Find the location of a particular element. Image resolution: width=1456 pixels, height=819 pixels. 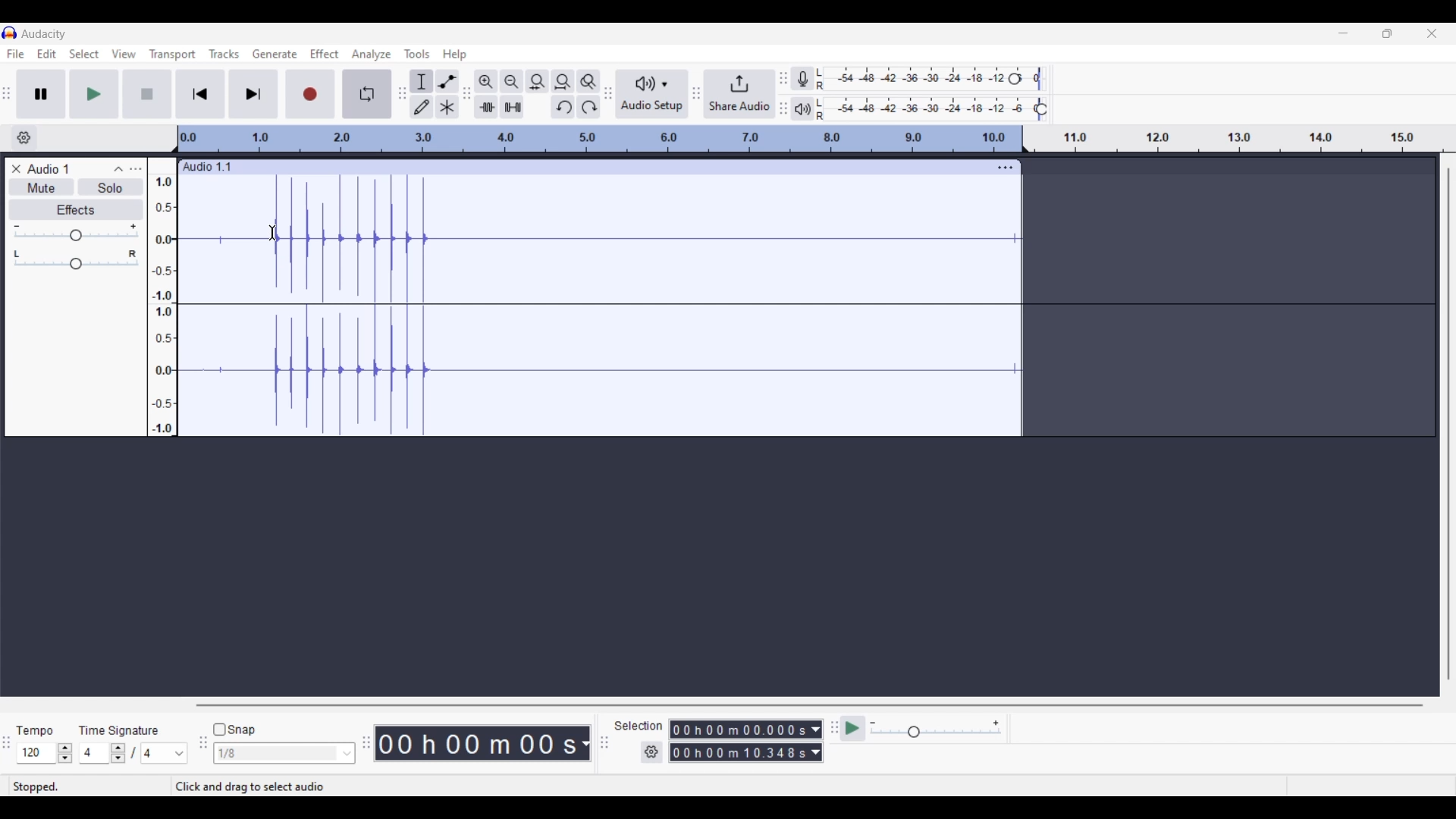

Share audio is located at coordinates (739, 94).